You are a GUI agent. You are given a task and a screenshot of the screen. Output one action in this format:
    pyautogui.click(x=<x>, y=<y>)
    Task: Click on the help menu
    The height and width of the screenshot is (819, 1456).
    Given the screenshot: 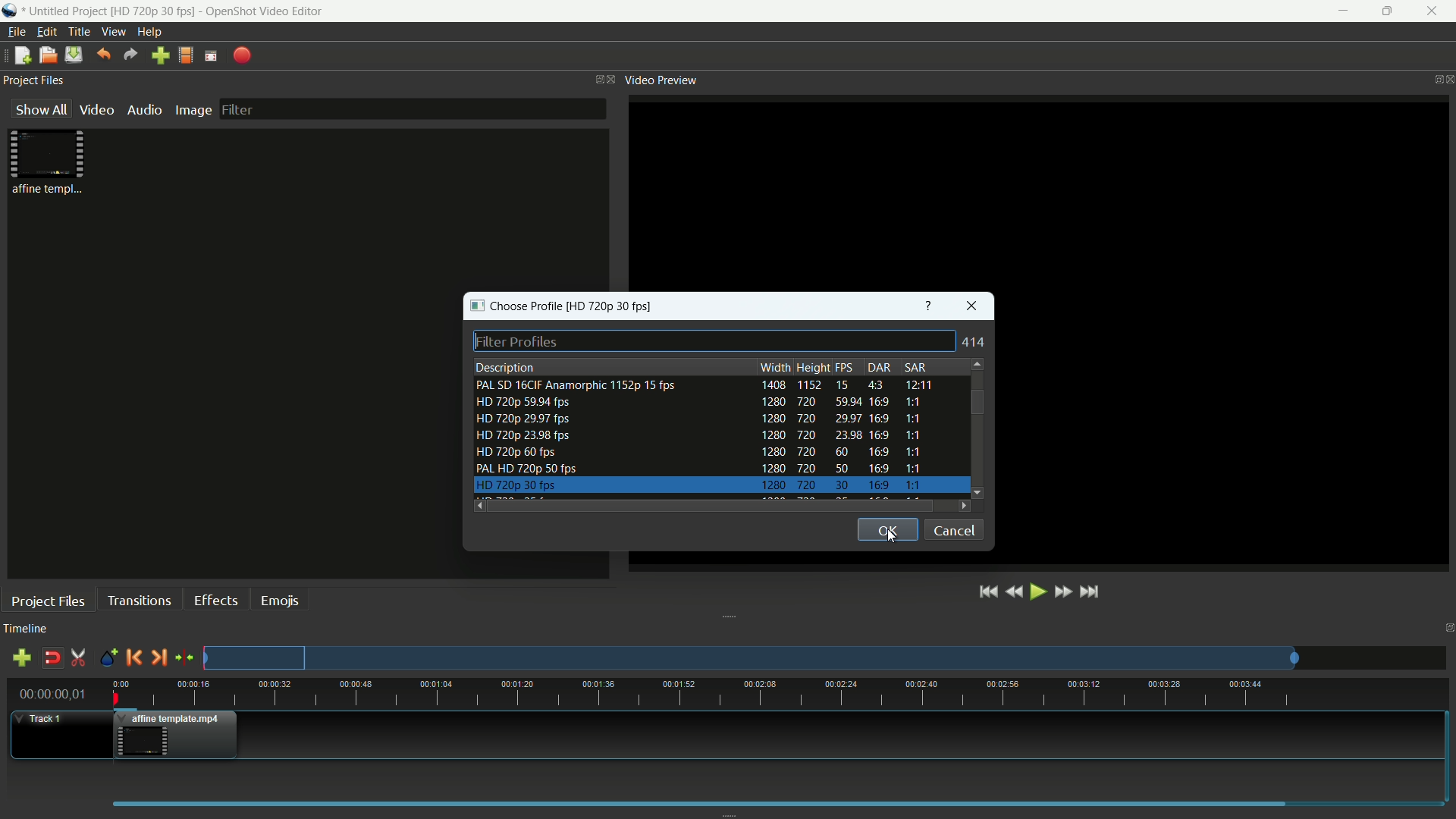 What is the action you would take?
    pyautogui.click(x=149, y=32)
    